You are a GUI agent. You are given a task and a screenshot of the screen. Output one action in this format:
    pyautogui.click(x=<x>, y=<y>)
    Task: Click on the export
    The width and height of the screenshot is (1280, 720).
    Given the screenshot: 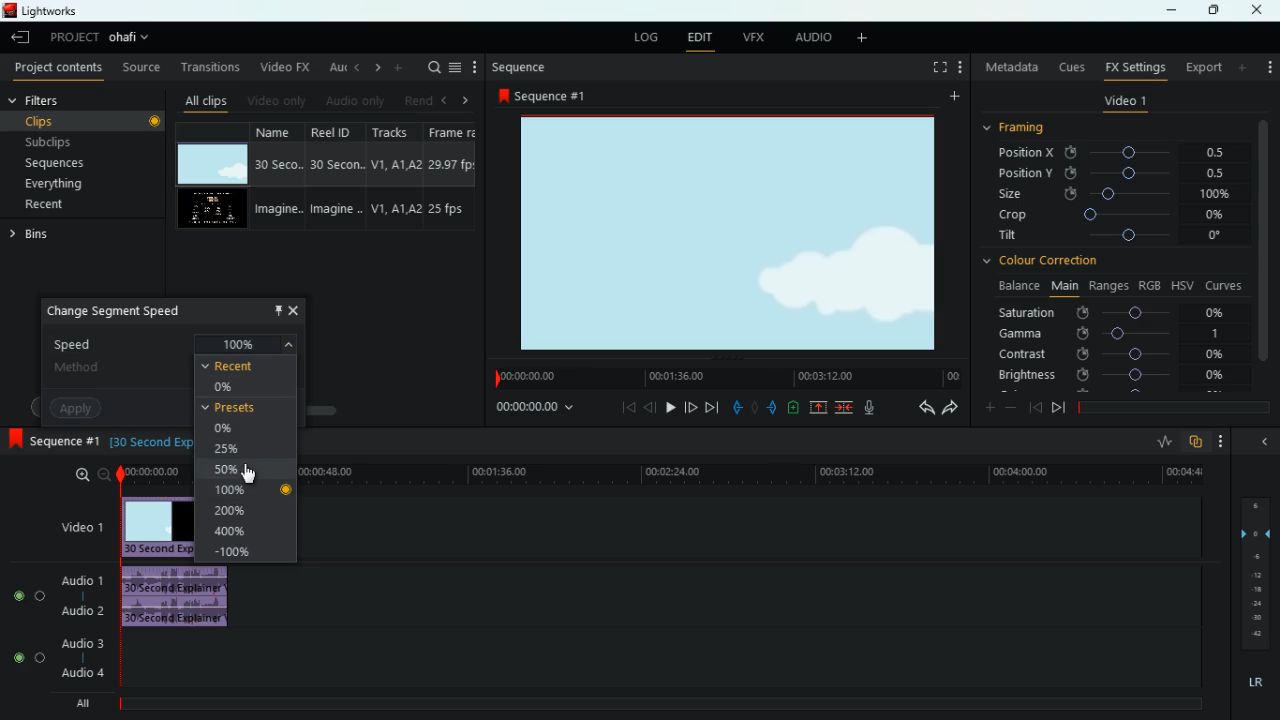 What is the action you would take?
    pyautogui.click(x=1199, y=67)
    